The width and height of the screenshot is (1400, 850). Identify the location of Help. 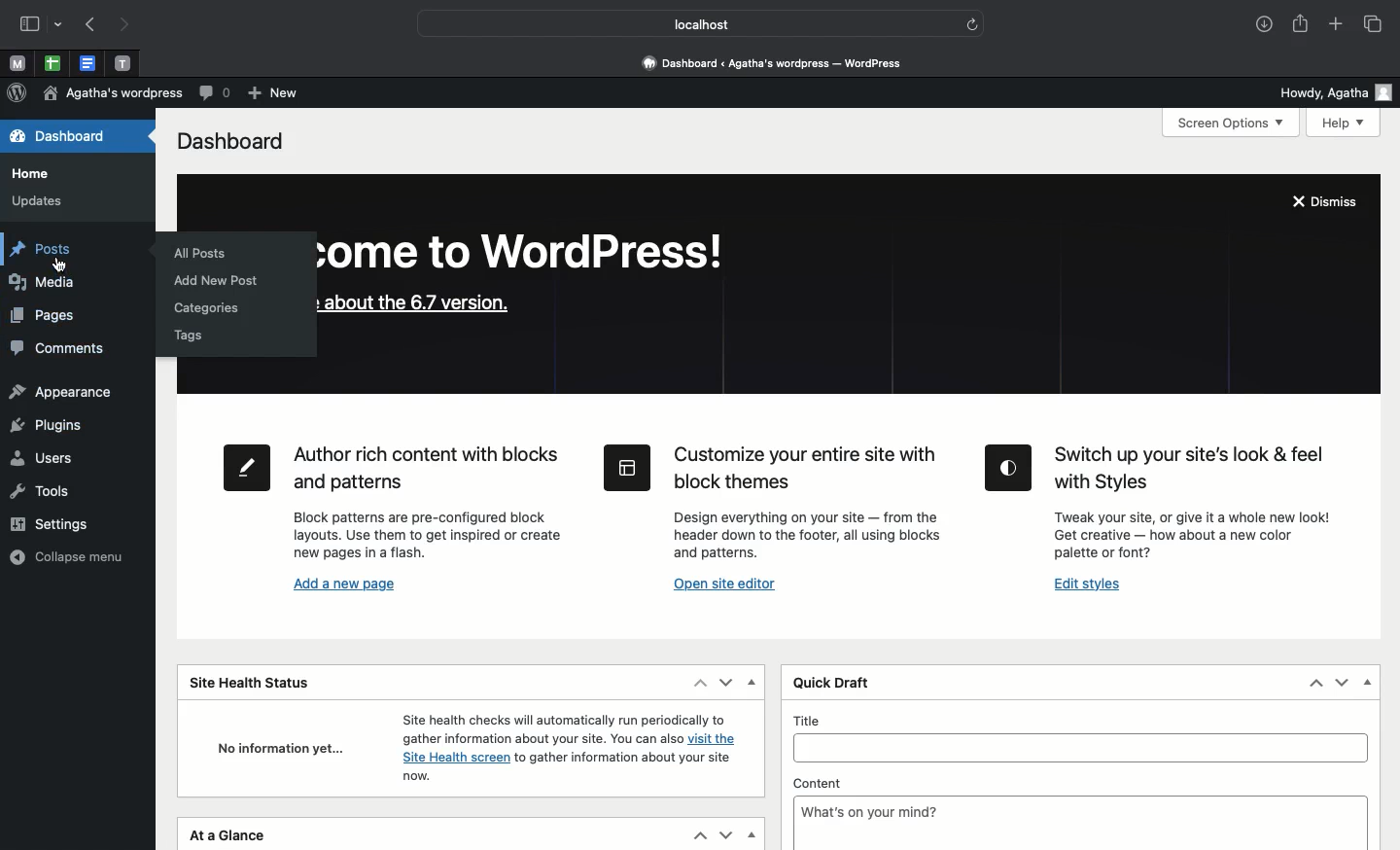
(1345, 124).